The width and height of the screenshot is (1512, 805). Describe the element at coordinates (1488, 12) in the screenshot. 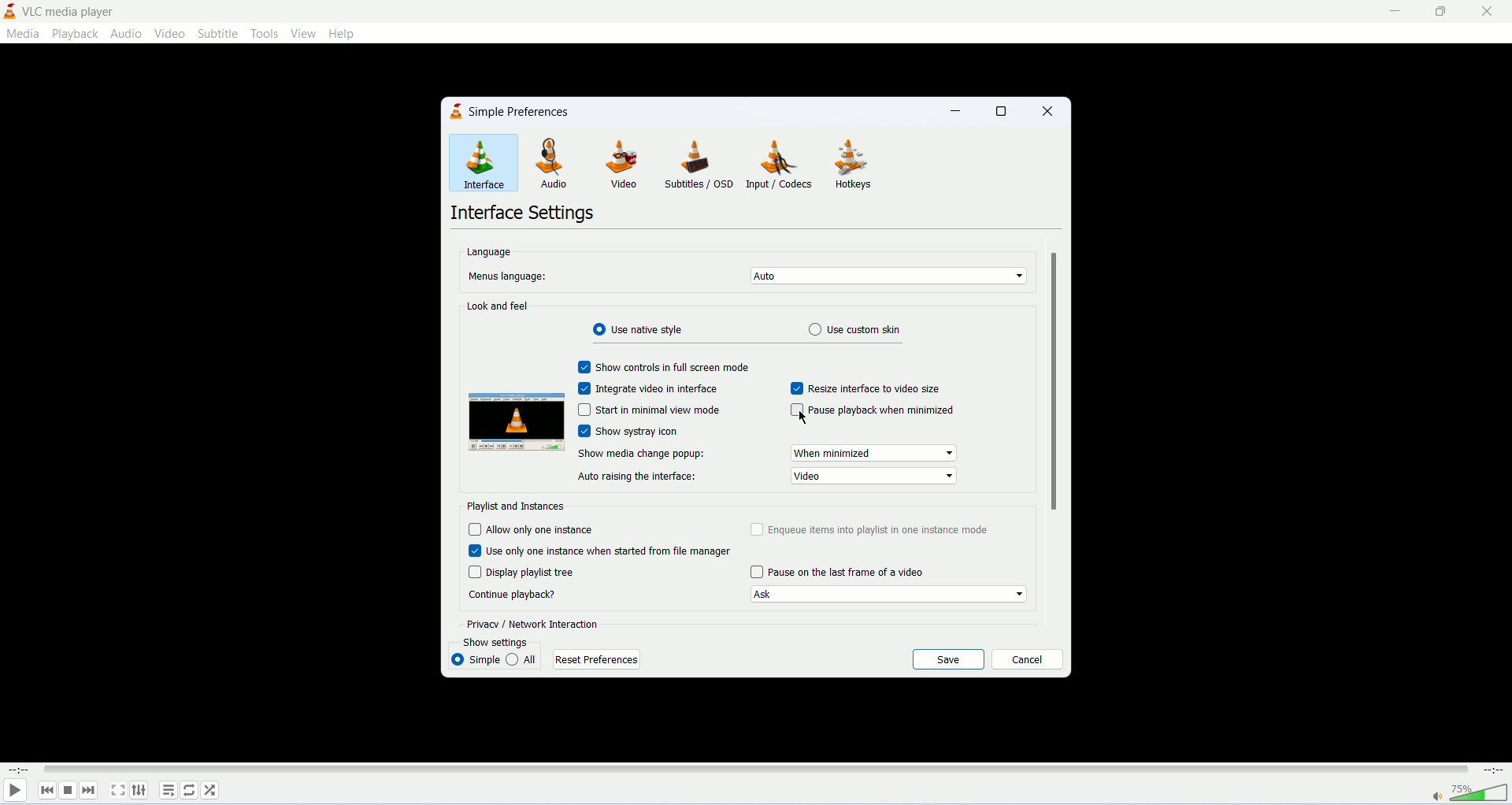

I see `close` at that location.